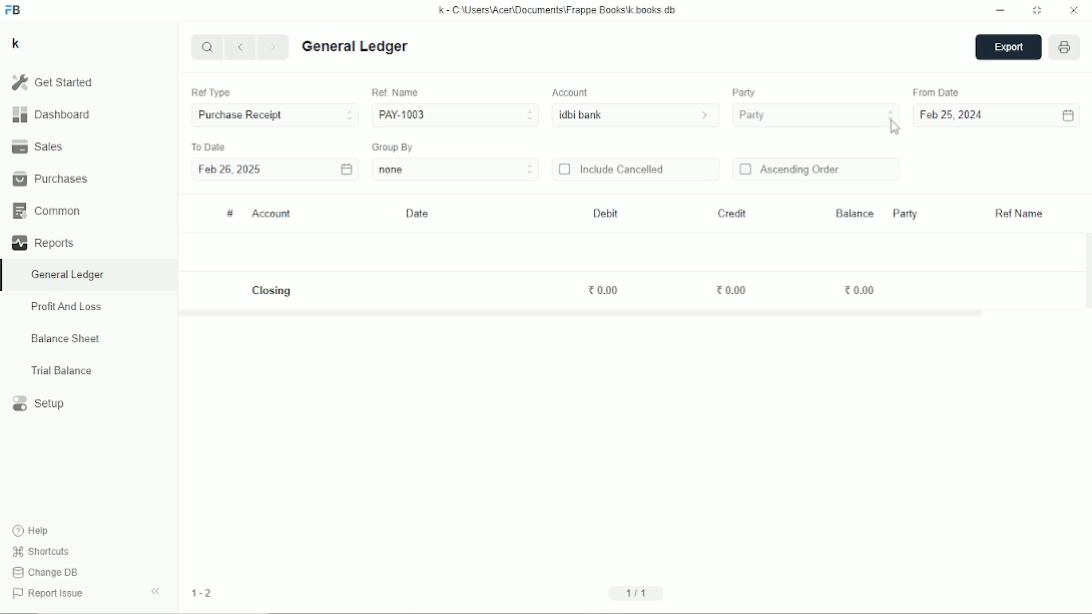  What do you see at coordinates (275, 48) in the screenshot?
I see `Next` at bounding box center [275, 48].